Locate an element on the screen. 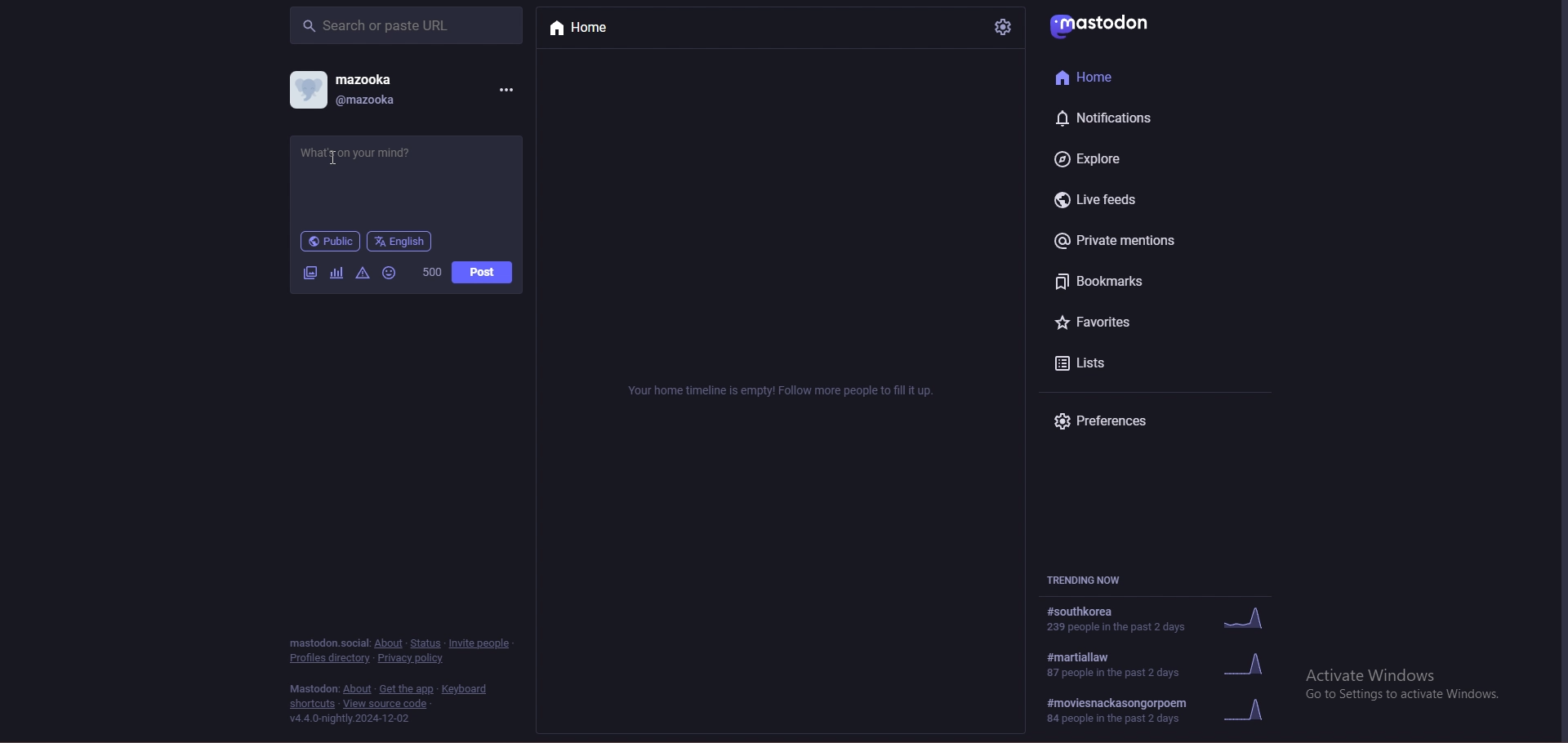 This screenshot has height=743, width=1568. Cursor is located at coordinates (331, 161).